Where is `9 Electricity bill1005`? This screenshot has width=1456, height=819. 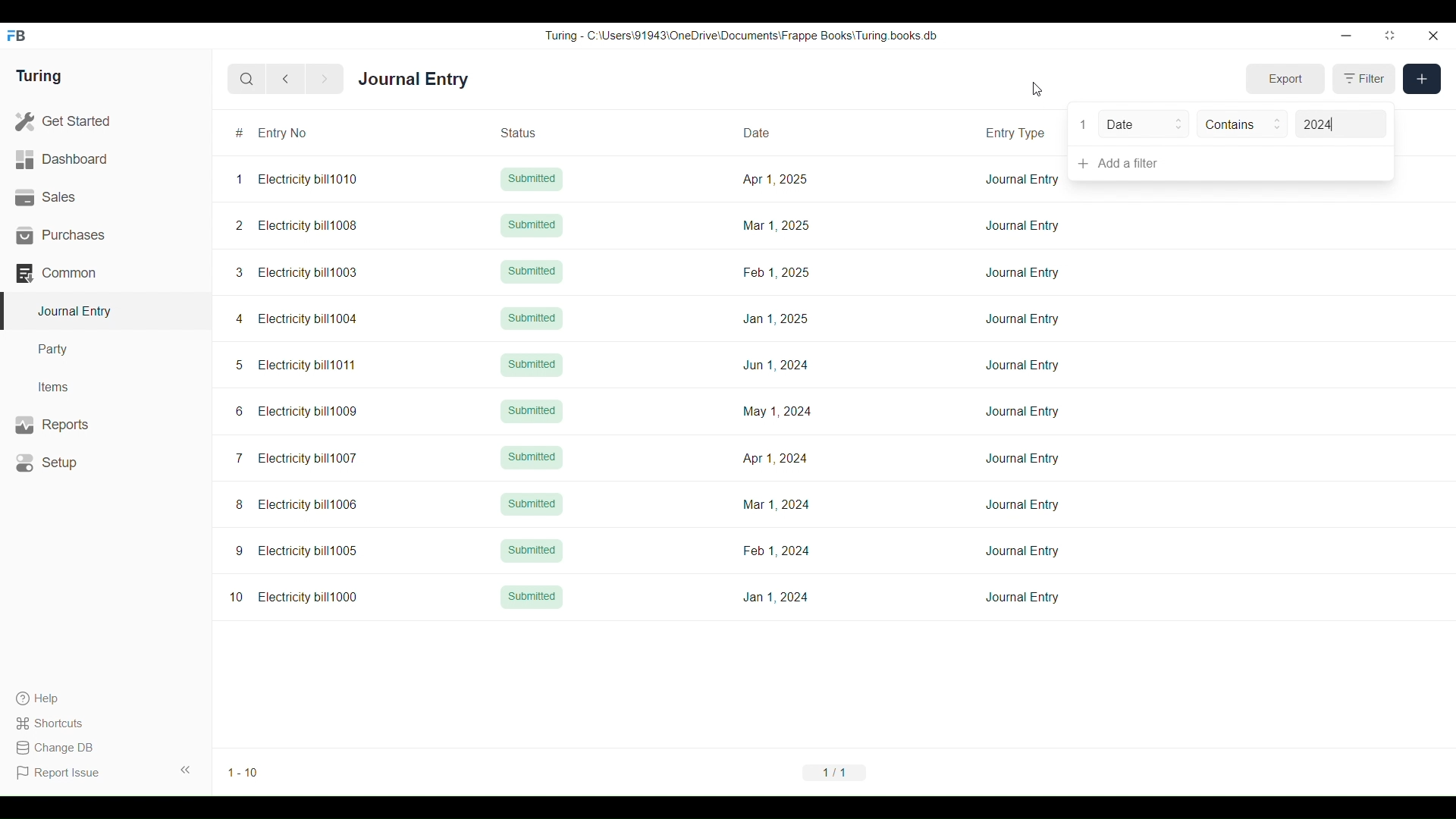
9 Electricity bill1005 is located at coordinates (297, 551).